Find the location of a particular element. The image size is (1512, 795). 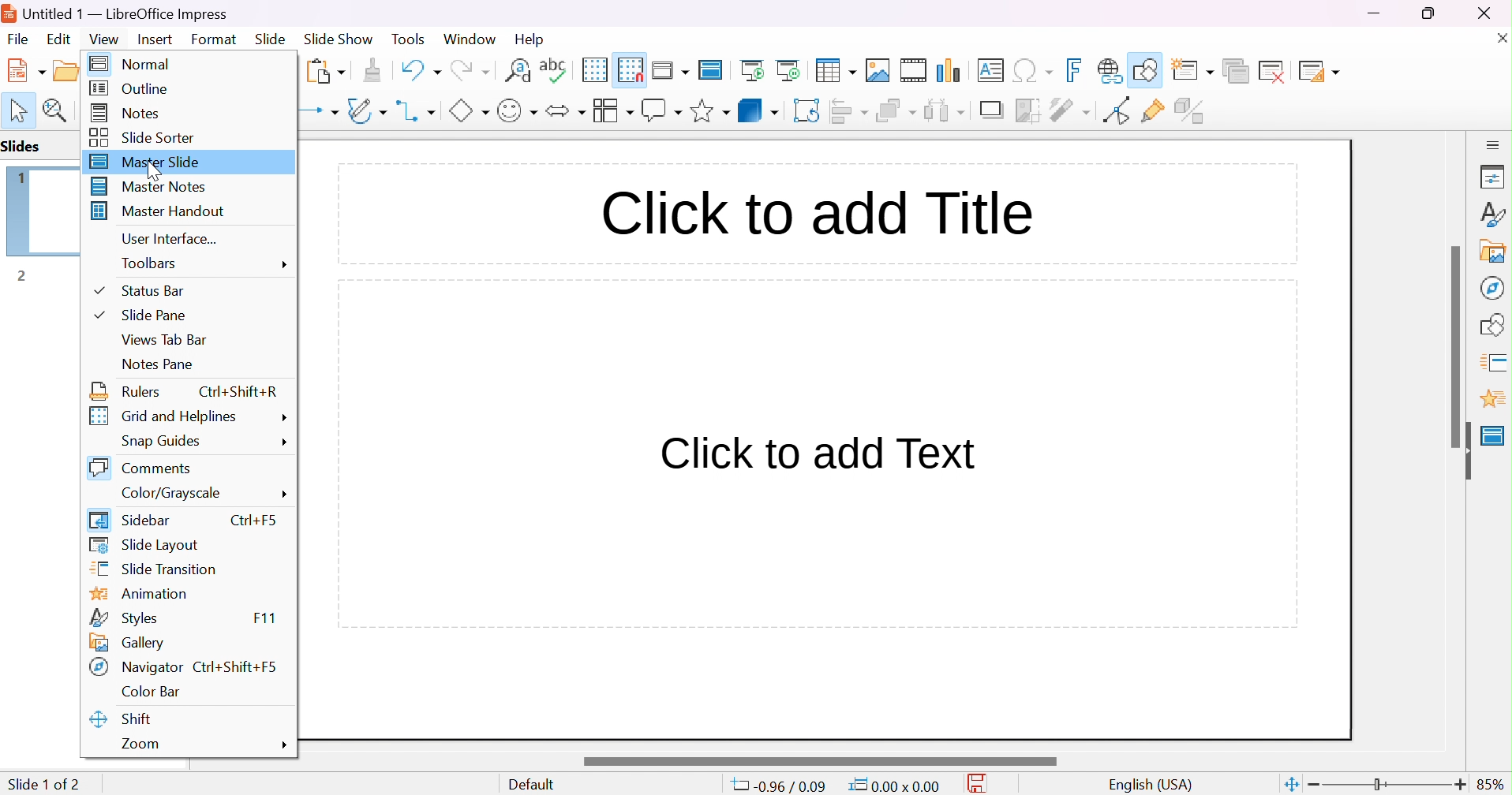

shapes and banners is located at coordinates (709, 111).